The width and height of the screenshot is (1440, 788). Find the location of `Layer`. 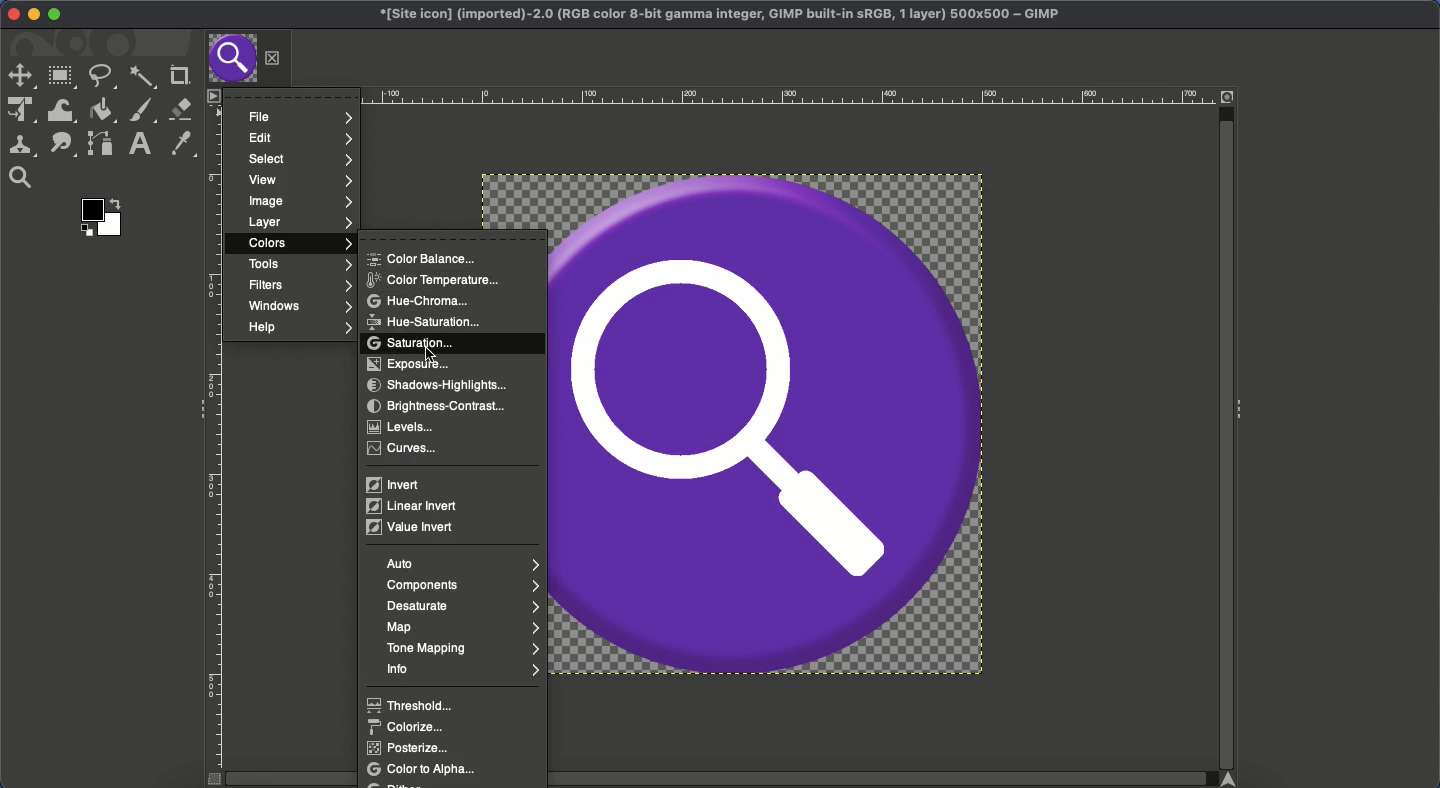

Layer is located at coordinates (299, 222).